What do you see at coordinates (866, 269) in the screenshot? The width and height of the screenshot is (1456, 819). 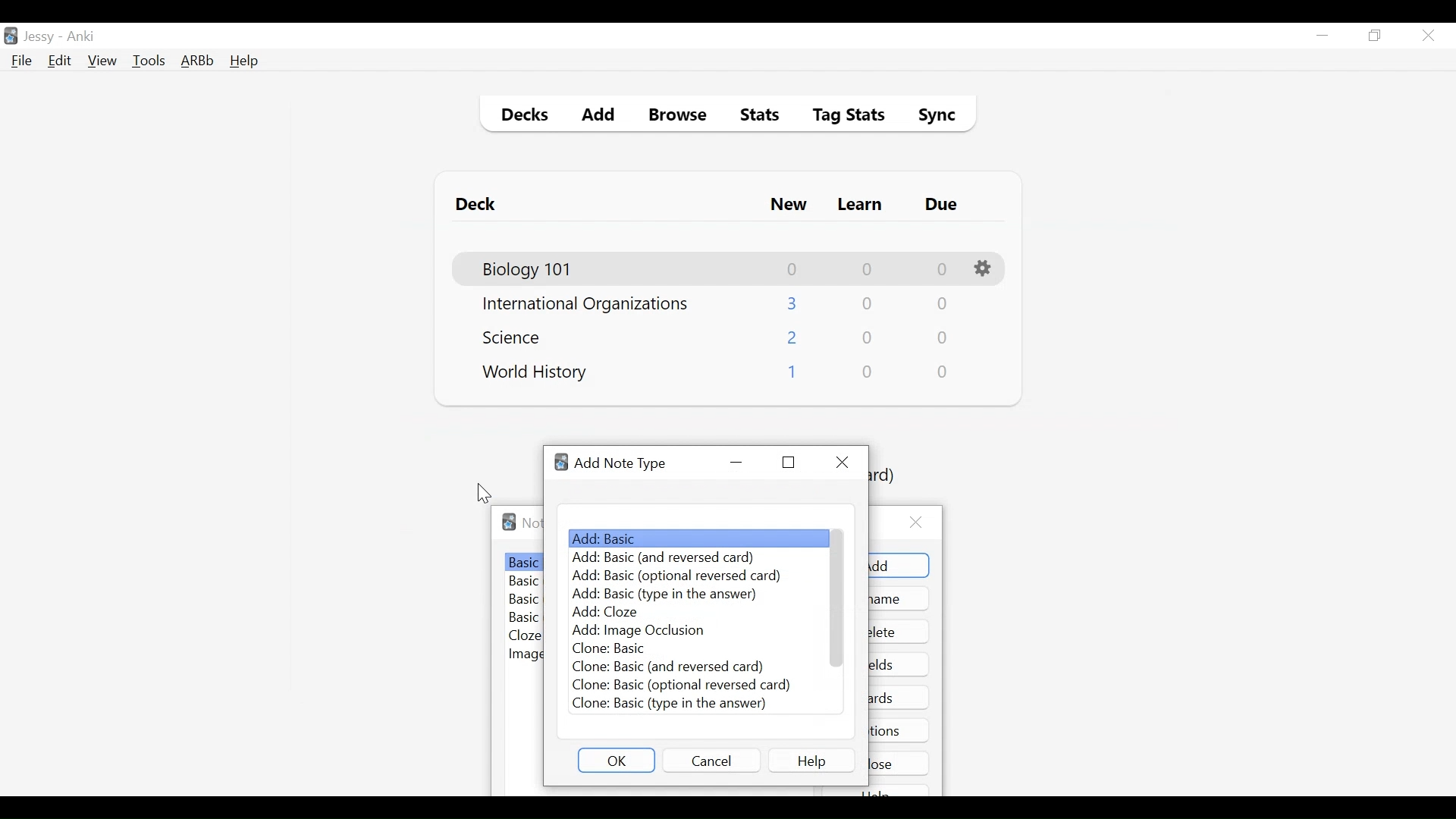 I see `Learn Card Count` at bounding box center [866, 269].